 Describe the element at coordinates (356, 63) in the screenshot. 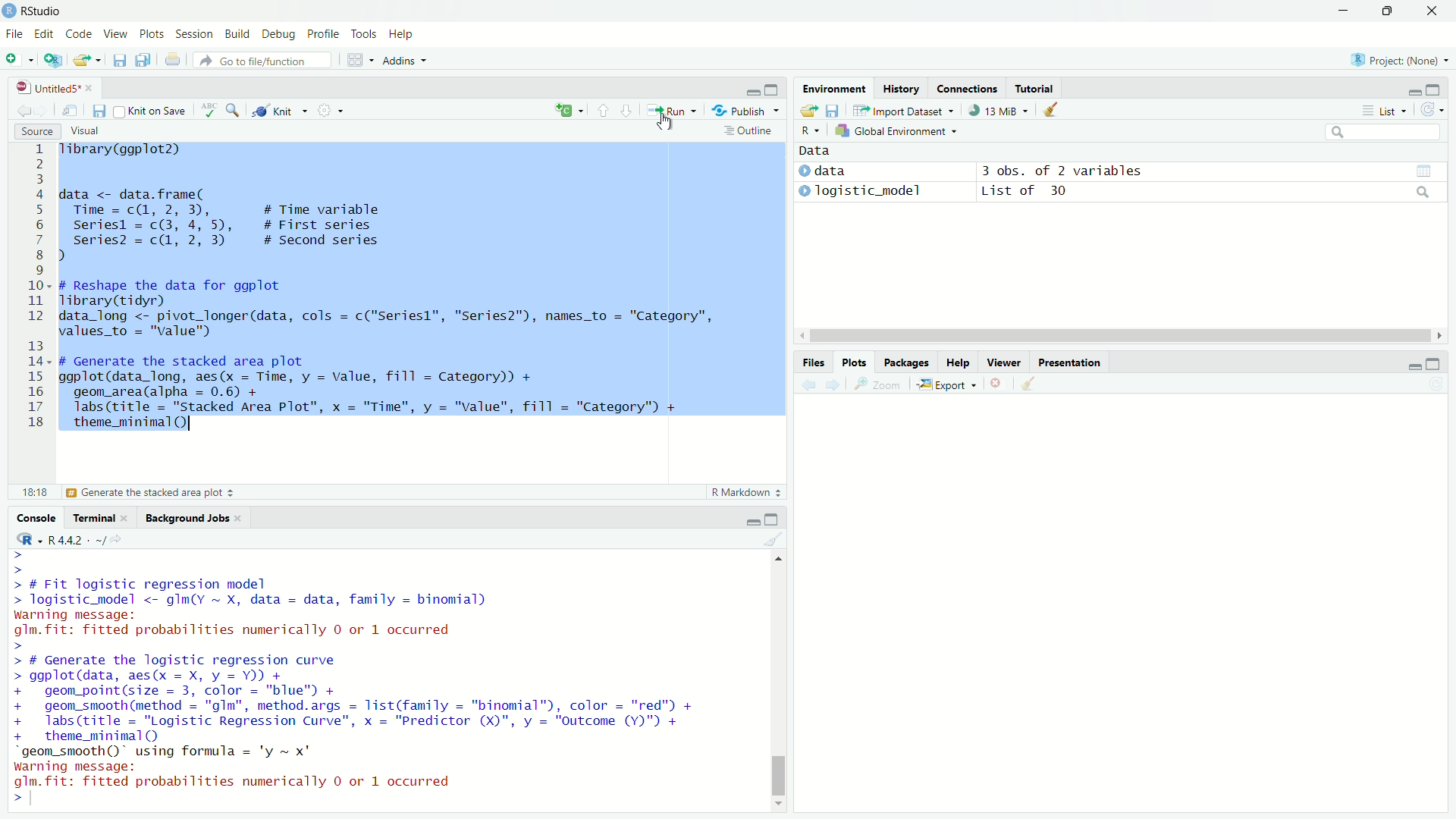

I see `grid` at that location.